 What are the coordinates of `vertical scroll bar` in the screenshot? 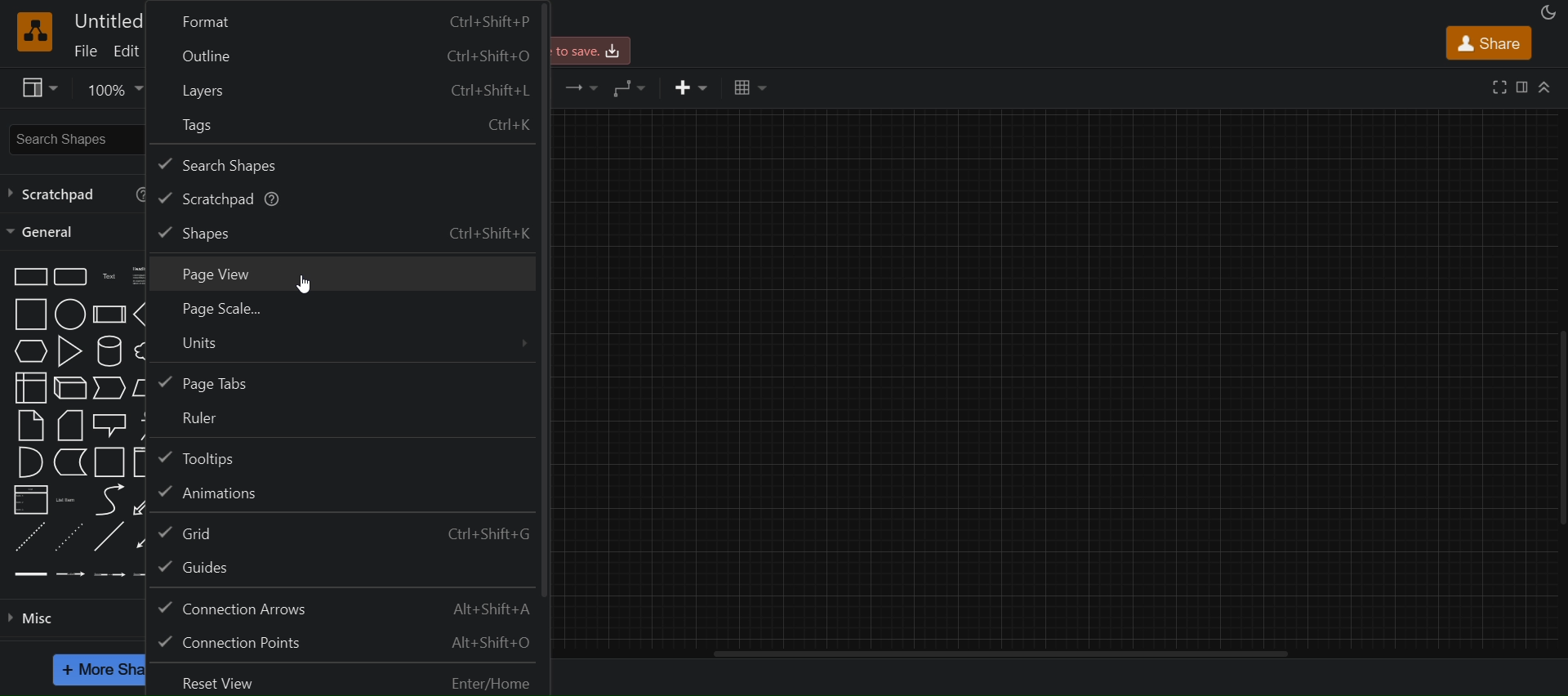 It's located at (1000, 654).